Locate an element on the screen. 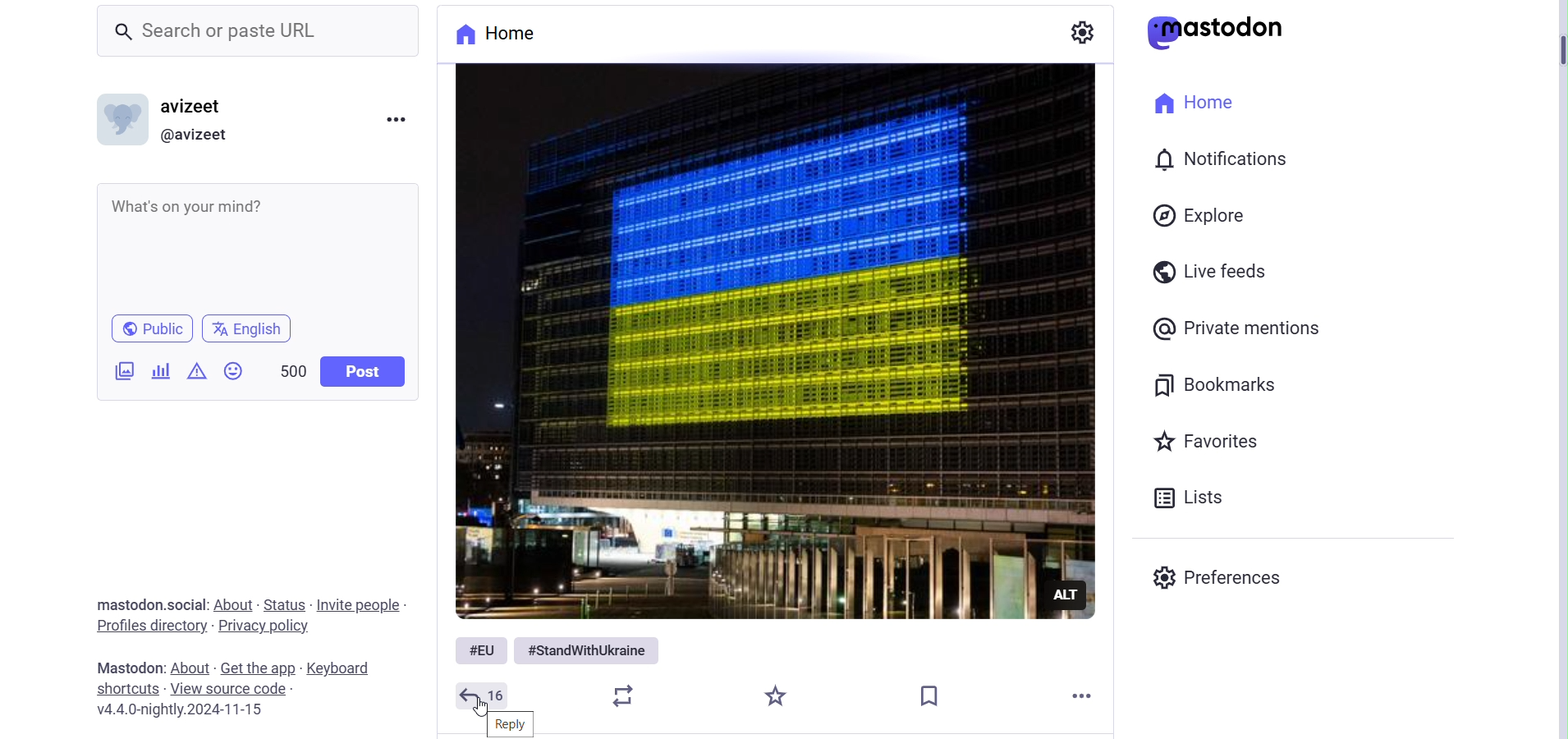 This screenshot has width=1568, height=739. Home is located at coordinates (512, 34).